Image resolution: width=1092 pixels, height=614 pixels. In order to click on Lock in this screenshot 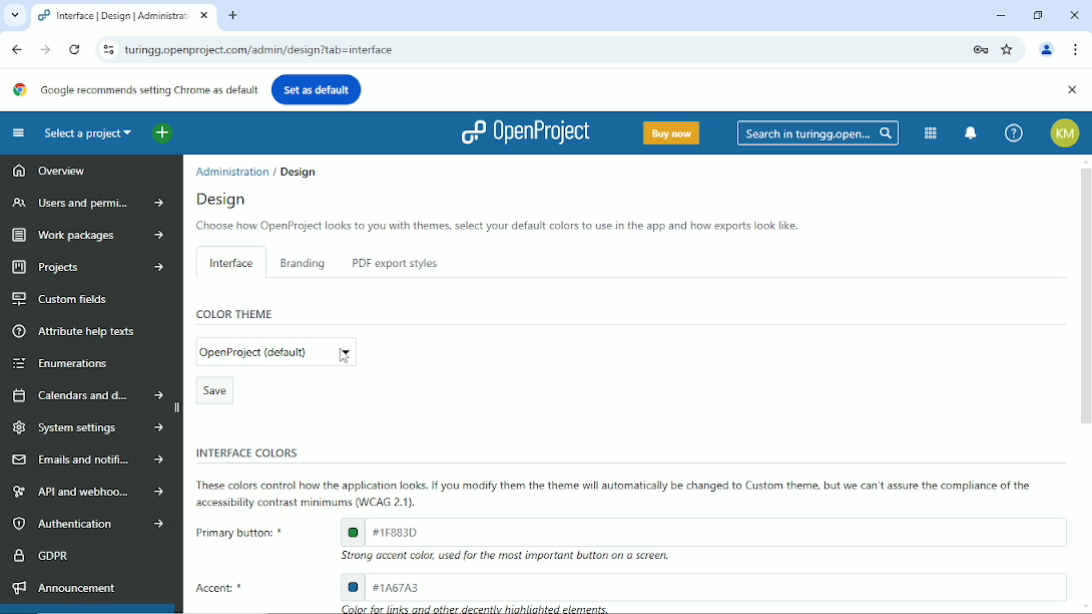, I will do `click(980, 48)`.